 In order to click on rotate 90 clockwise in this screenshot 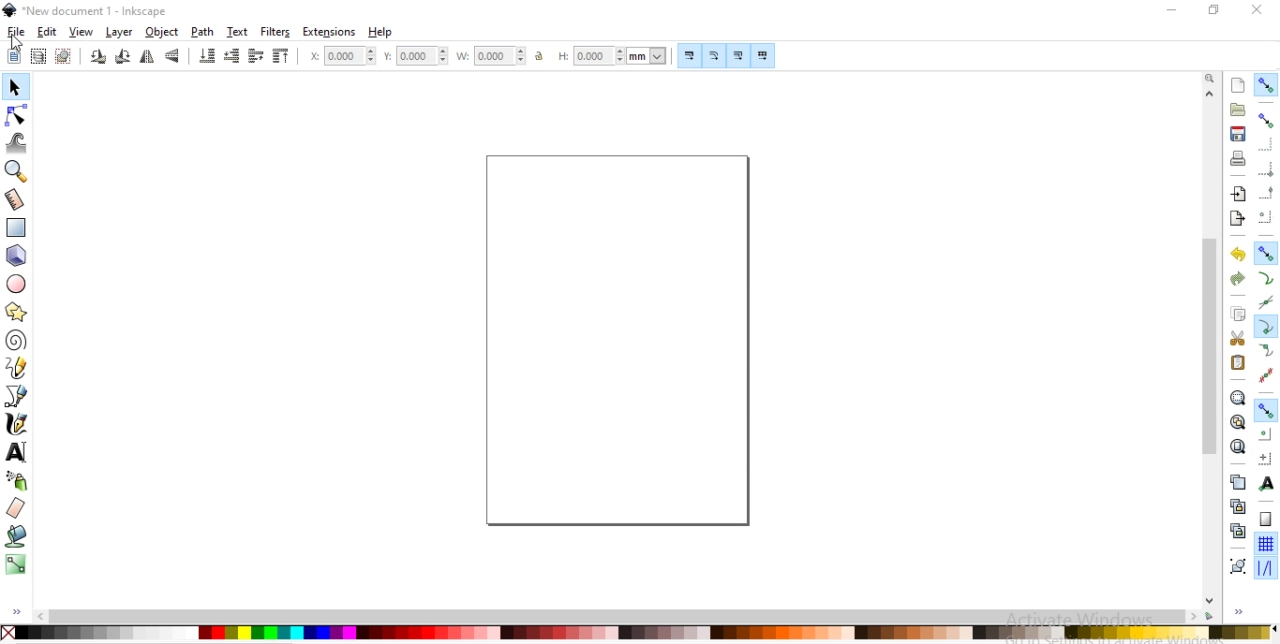, I will do `click(121, 58)`.